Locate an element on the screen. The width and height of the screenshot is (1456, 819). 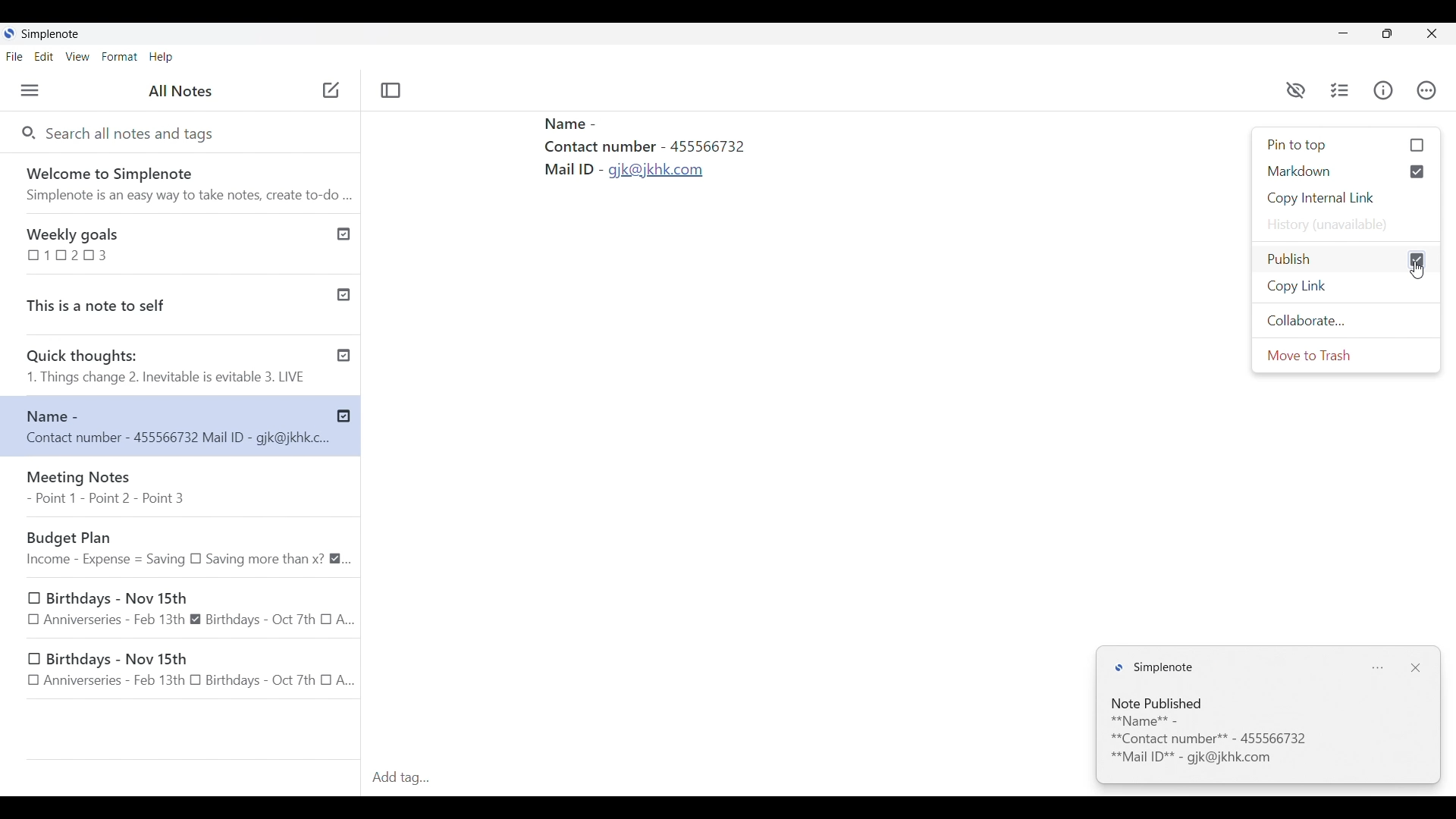
Software welcome note is located at coordinates (179, 180).